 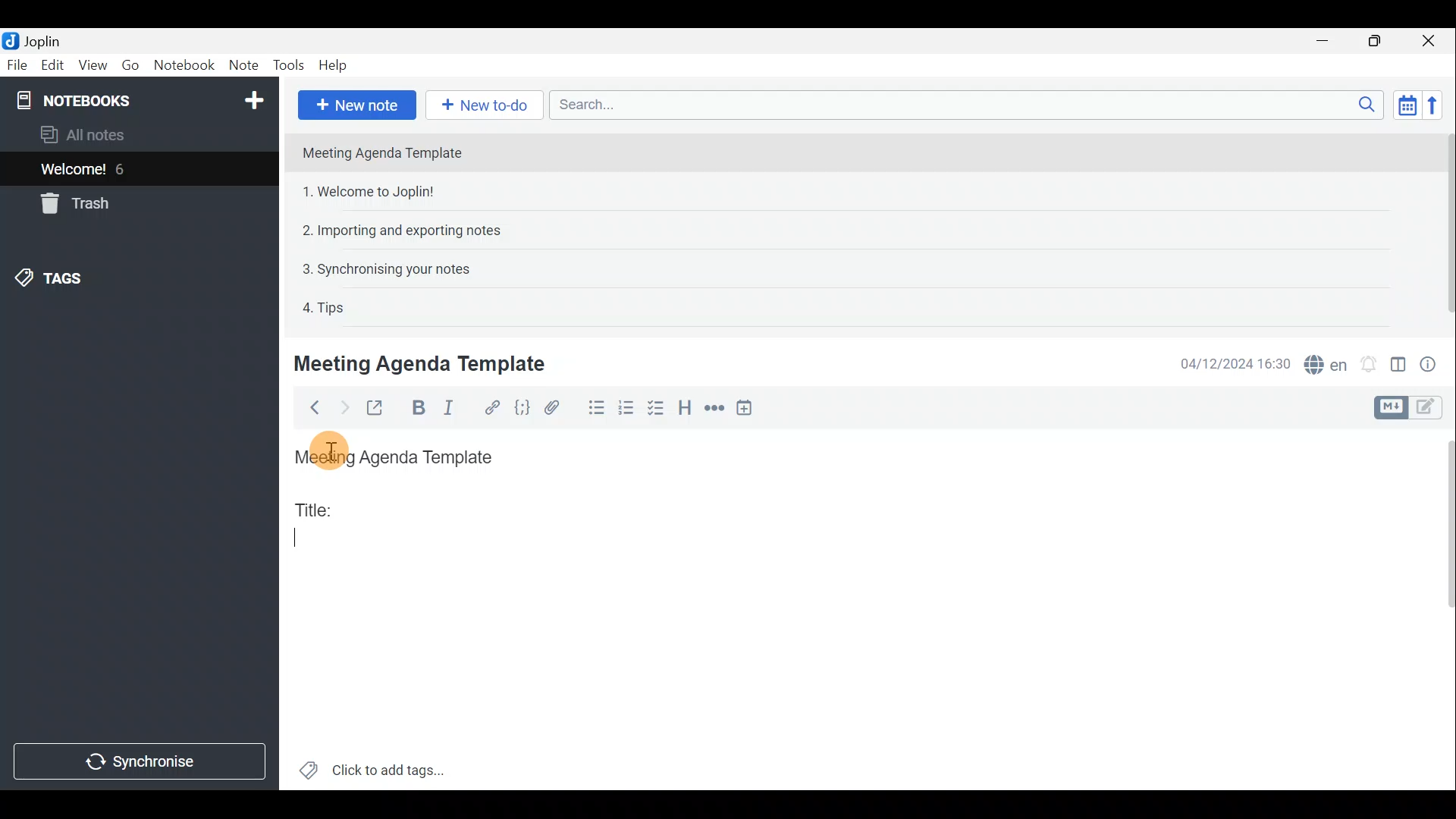 What do you see at coordinates (325, 307) in the screenshot?
I see `4. Tips` at bounding box center [325, 307].